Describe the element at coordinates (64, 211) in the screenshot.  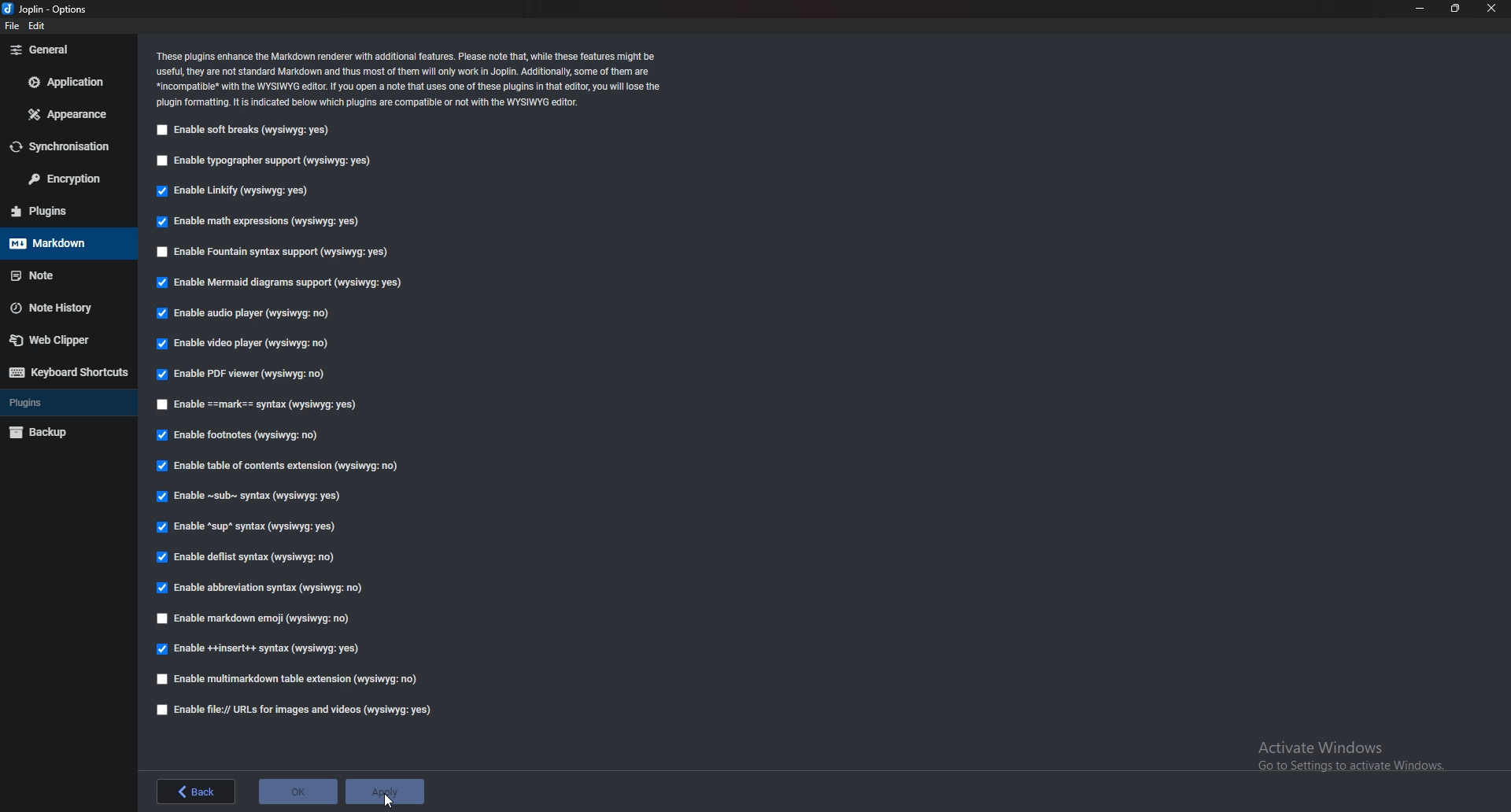
I see `plugins` at that location.